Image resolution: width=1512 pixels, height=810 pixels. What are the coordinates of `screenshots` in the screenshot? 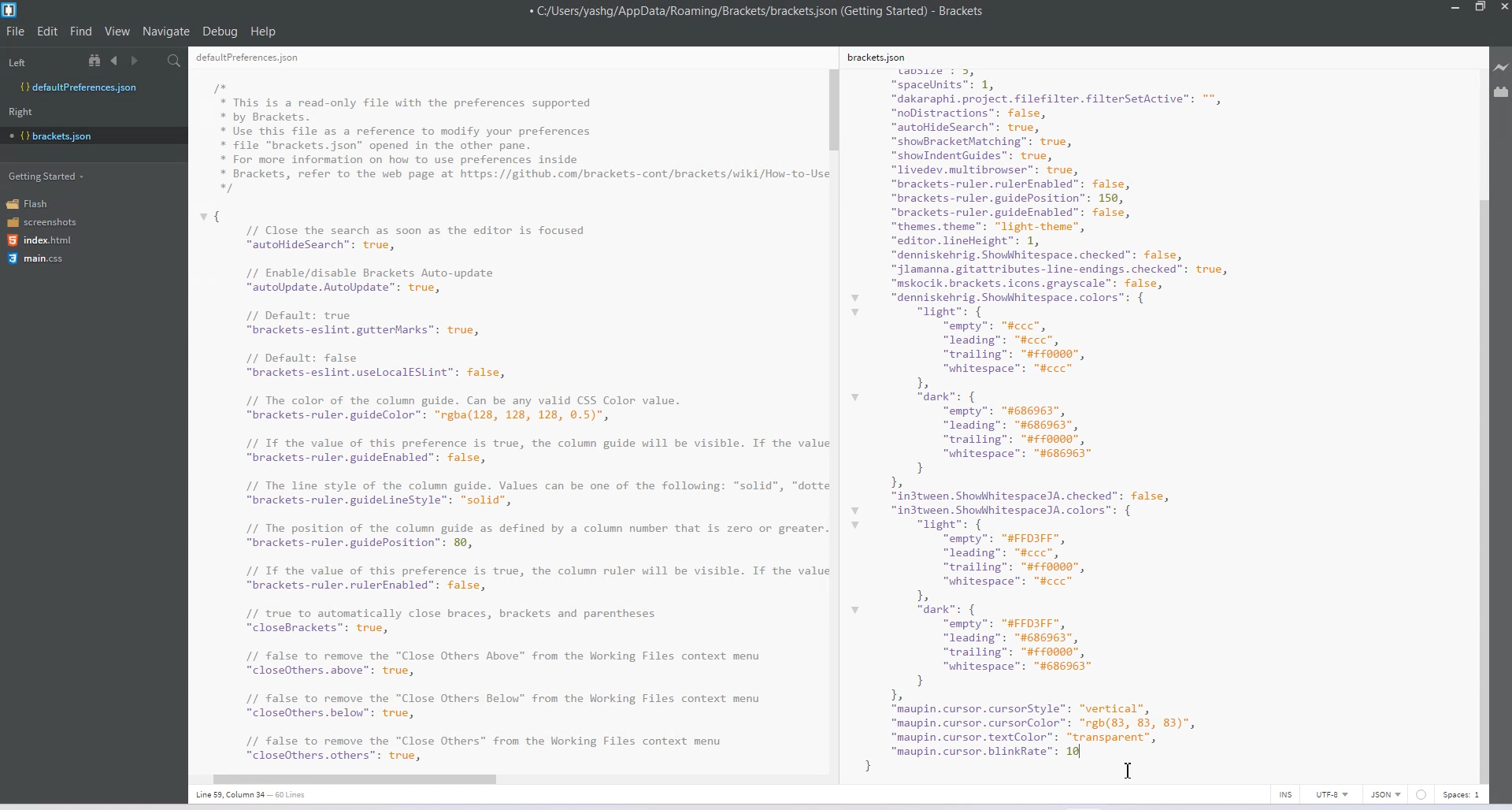 It's located at (43, 223).